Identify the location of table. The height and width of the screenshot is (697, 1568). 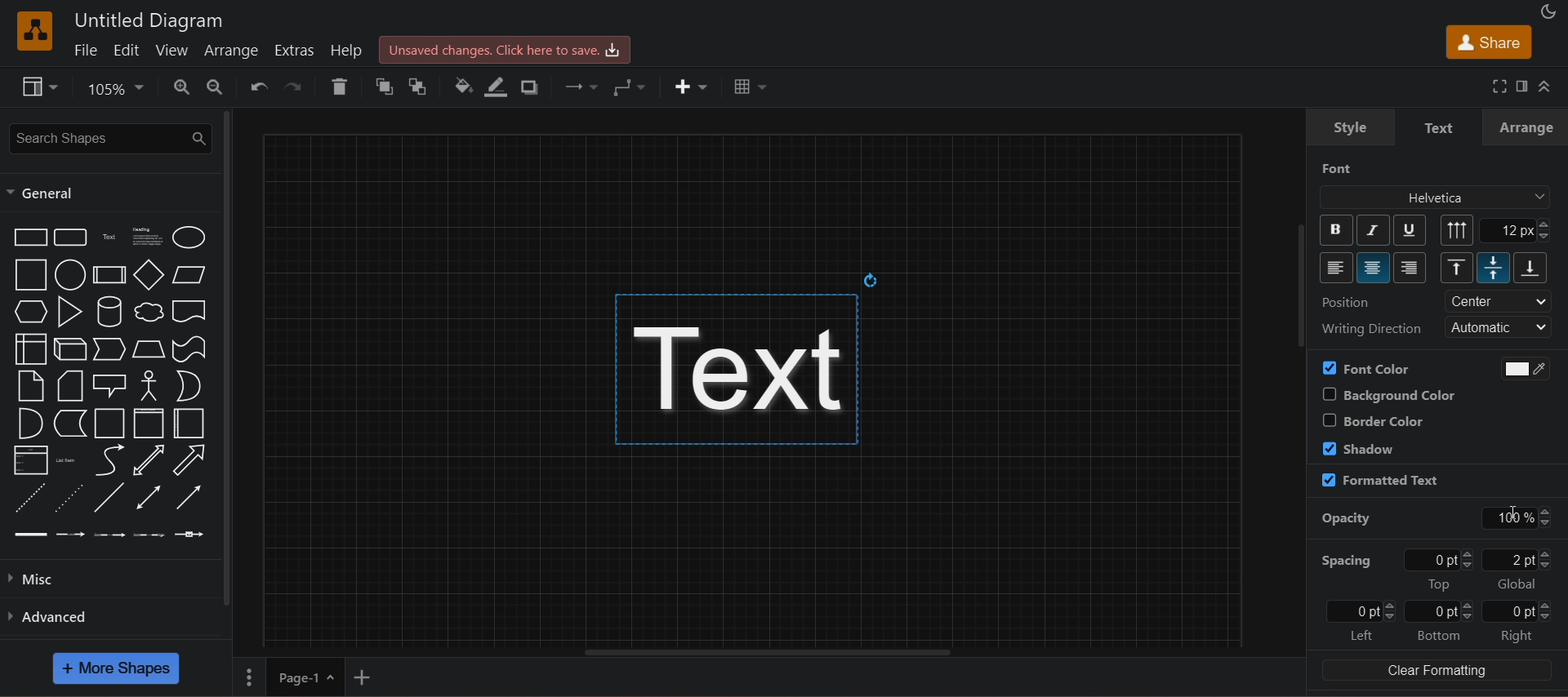
(751, 84).